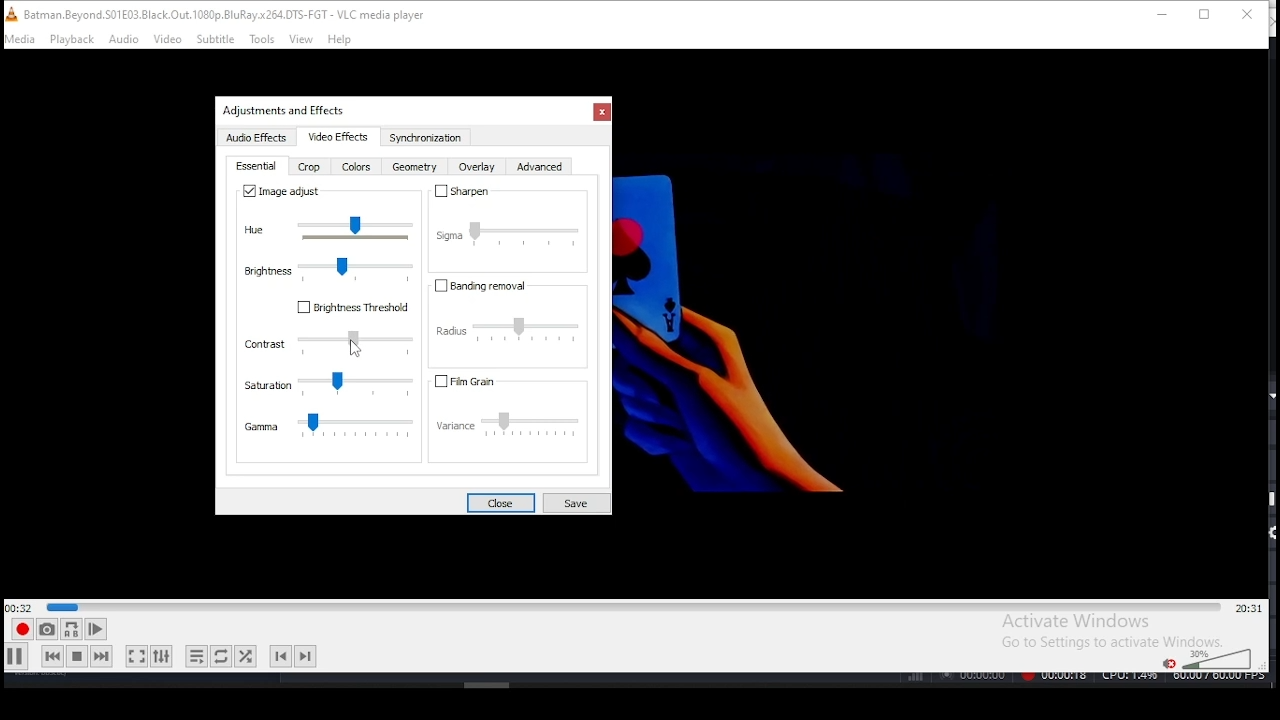 This screenshot has width=1280, height=720. Describe the element at coordinates (487, 286) in the screenshot. I see `banding removal on/off` at that location.